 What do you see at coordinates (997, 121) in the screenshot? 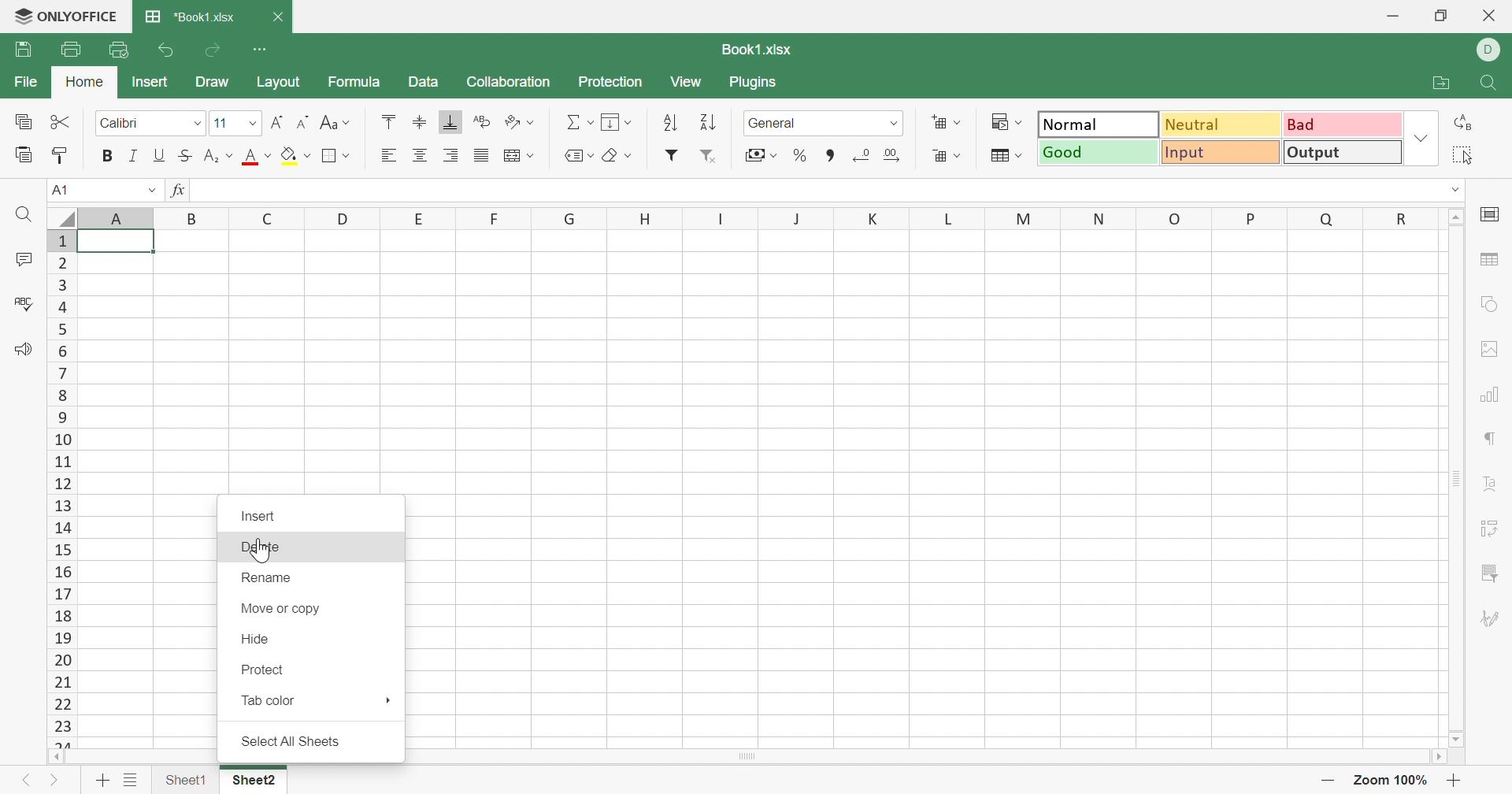
I see `Conditional formatting` at bounding box center [997, 121].